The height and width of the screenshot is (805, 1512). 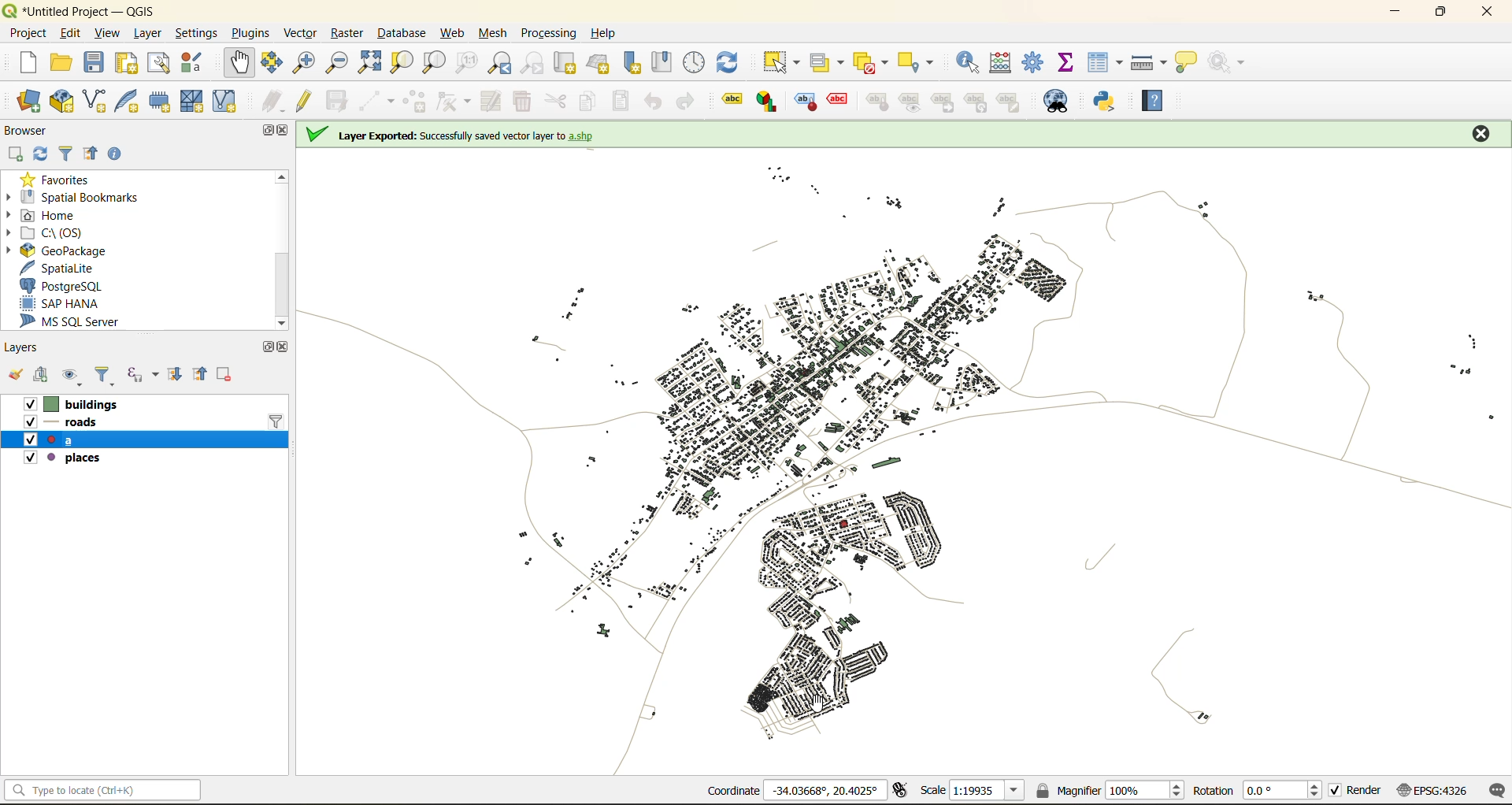 I want to click on statistical summary, so click(x=1071, y=63).